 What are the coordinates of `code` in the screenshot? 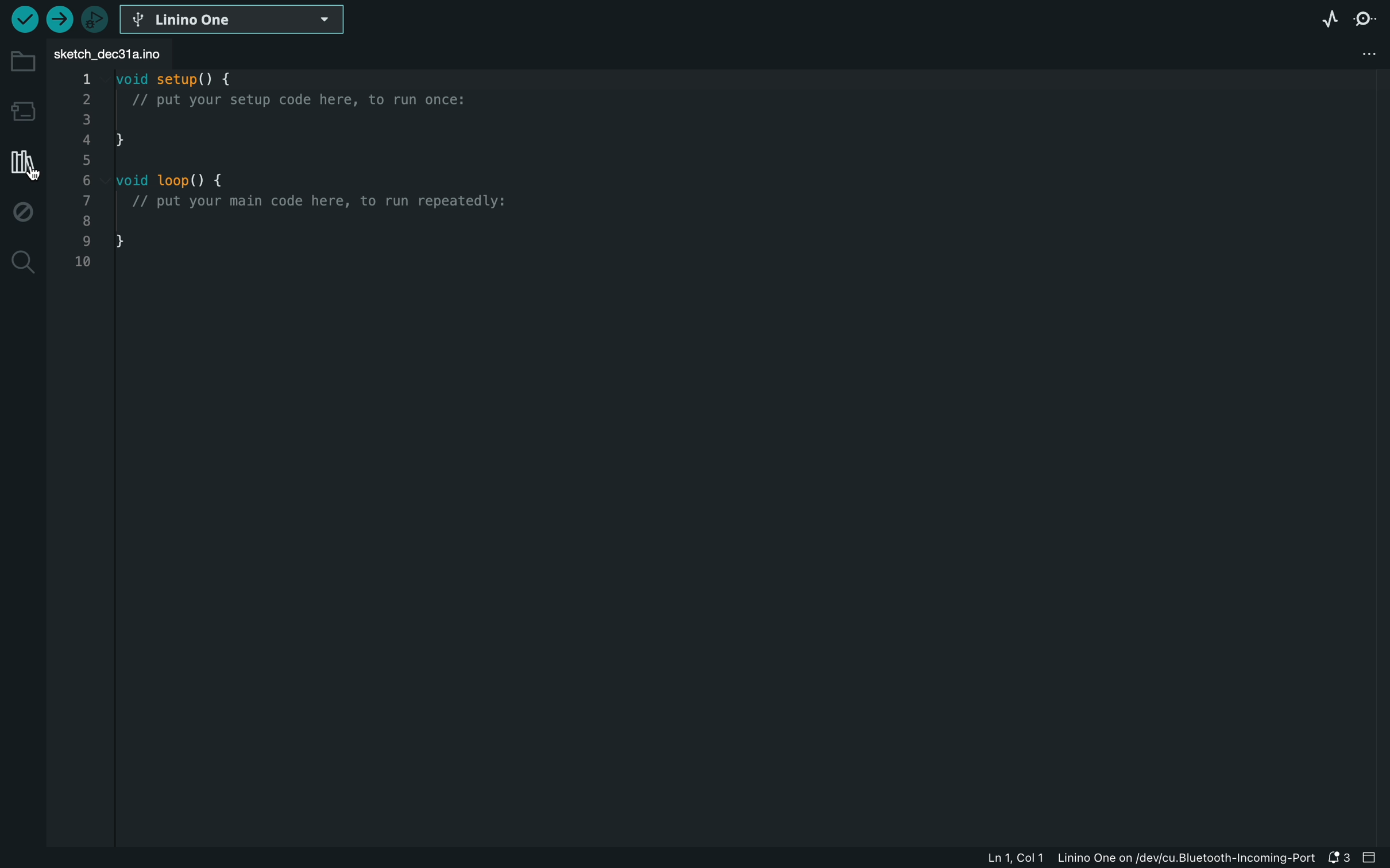 It's located at (301, 173).